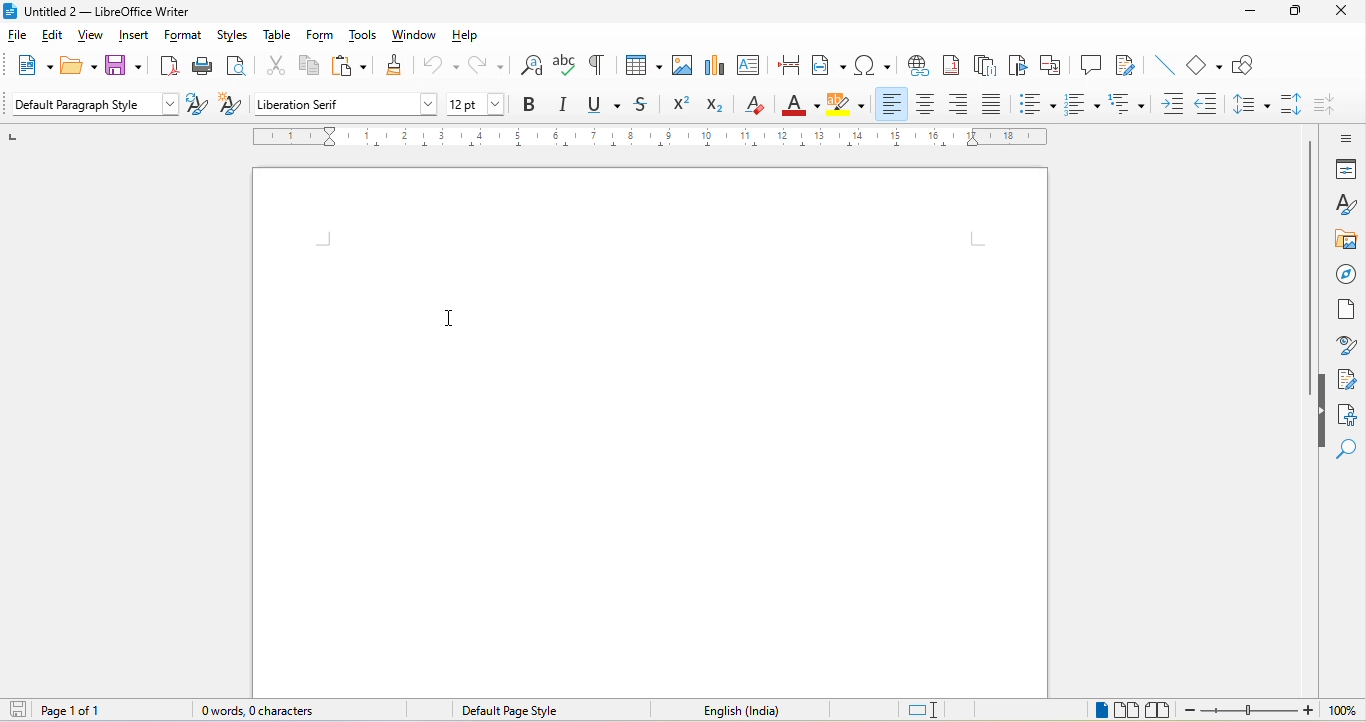 This screenshot has height=722, width=1366. I want to click on file, so click(18, 35).